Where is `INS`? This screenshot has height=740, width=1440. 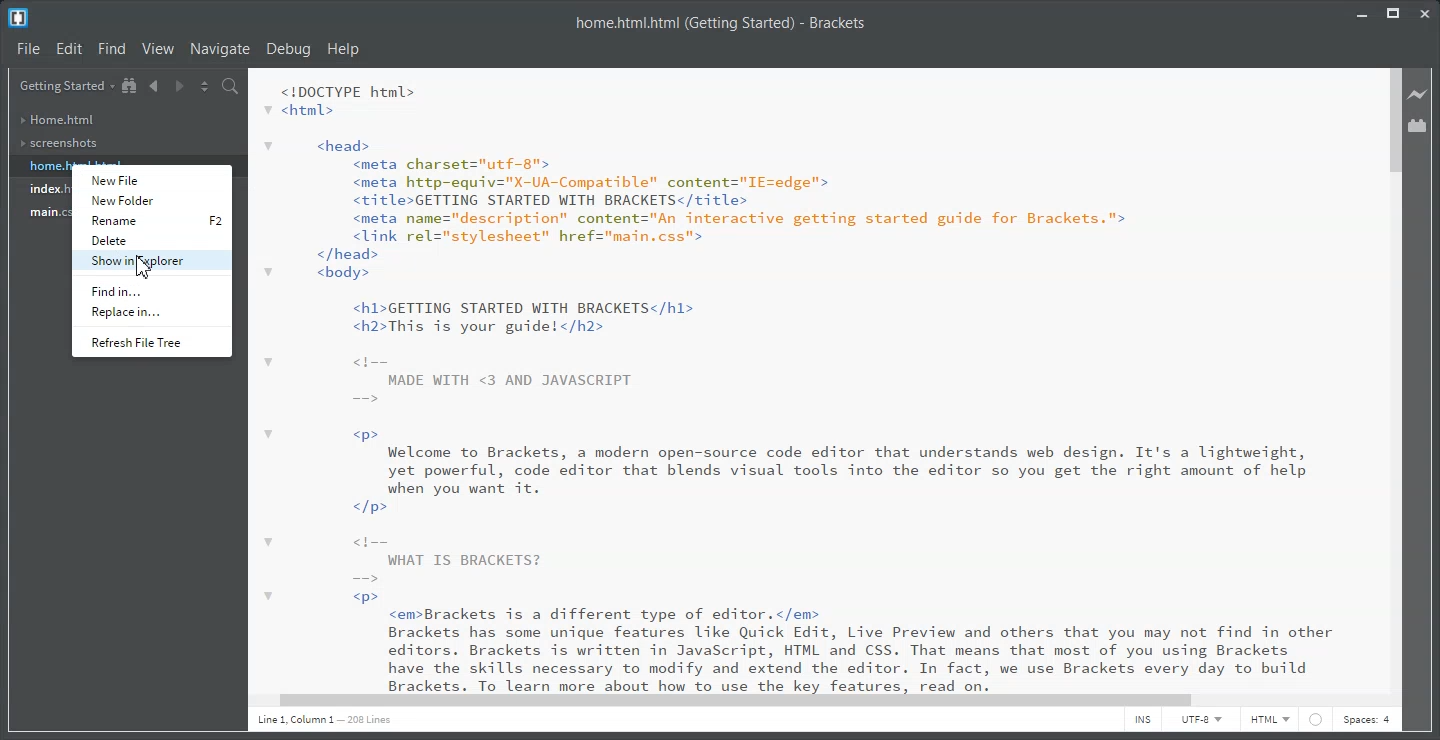 INS is located at coordinates (1142, 722).